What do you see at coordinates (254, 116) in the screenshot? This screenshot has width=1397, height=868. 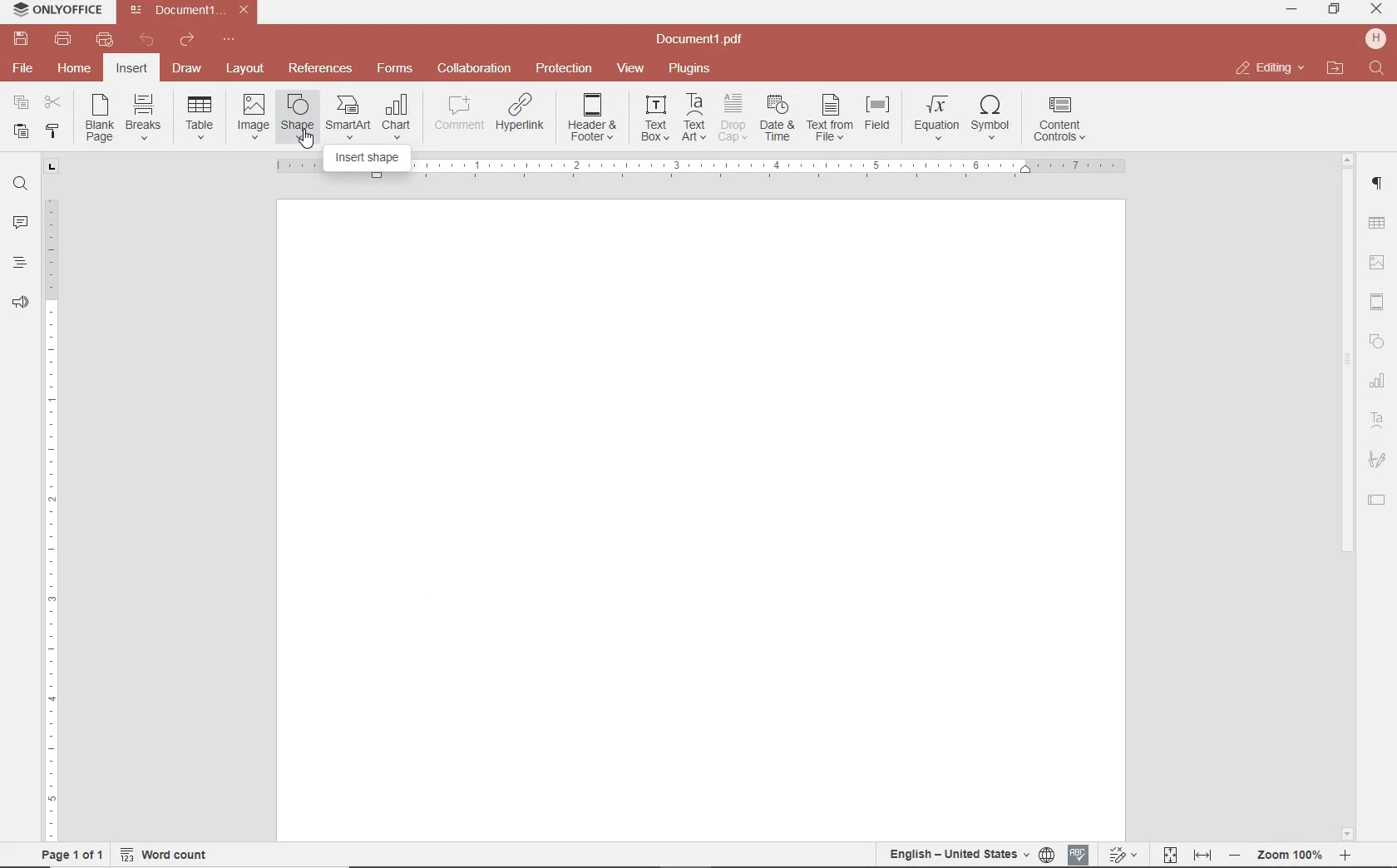 I see `INSERT IMAGES` at bounding box center [254, 116].